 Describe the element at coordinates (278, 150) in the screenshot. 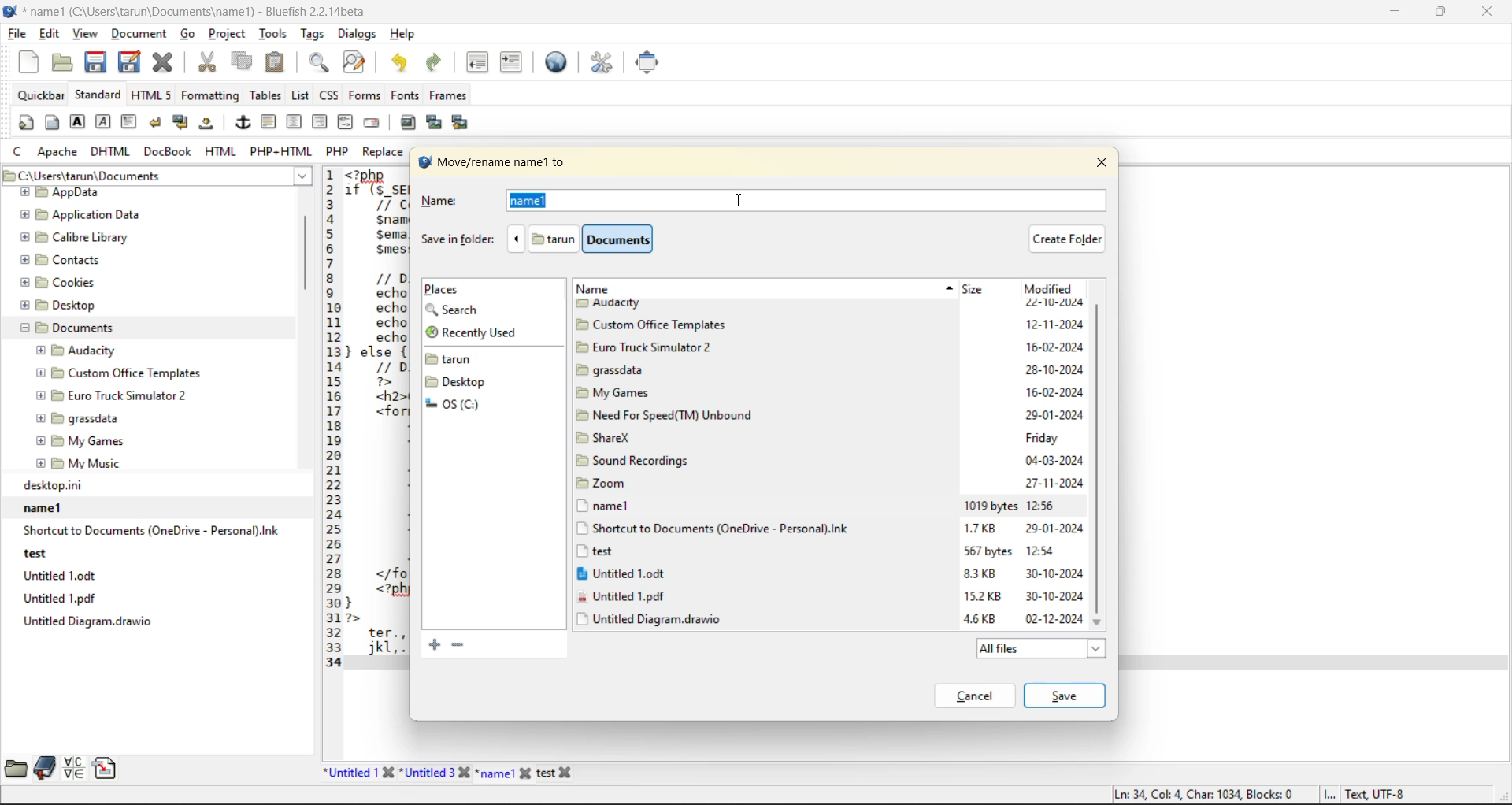

I see `php html` at that location.